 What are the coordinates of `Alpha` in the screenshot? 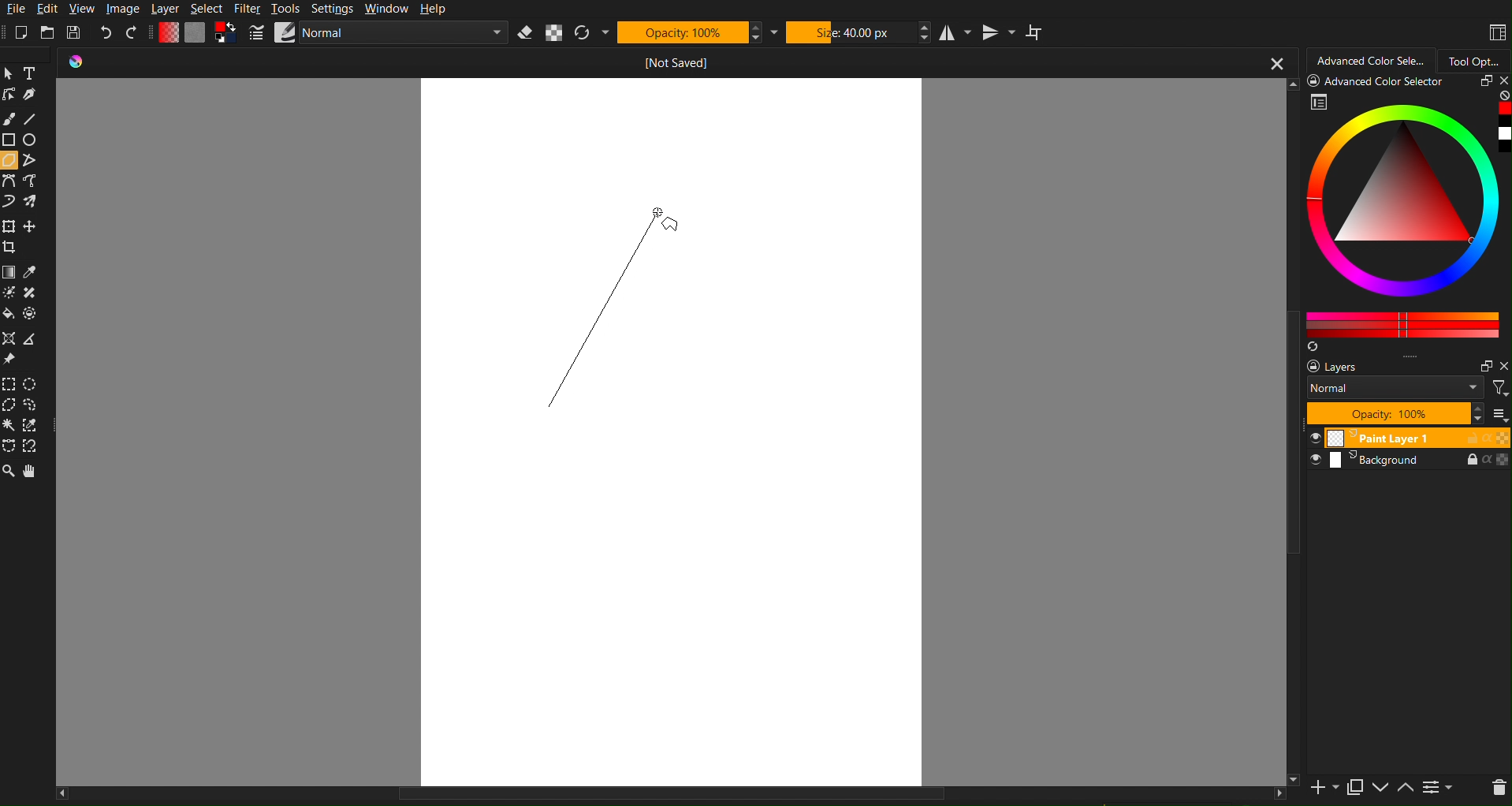 It's located at (554, 33).